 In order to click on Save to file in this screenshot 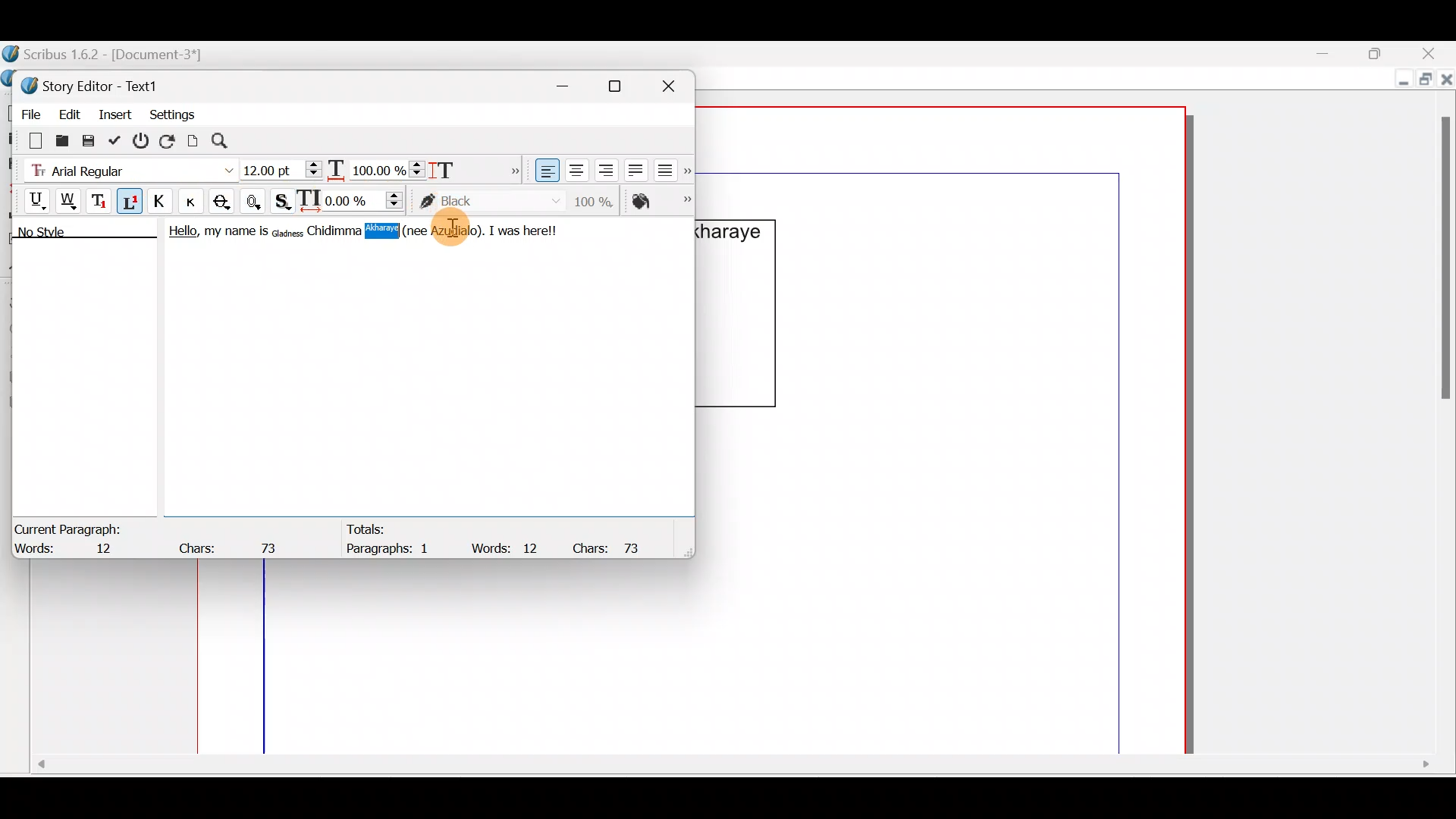, I will do `click(89, 140)`.